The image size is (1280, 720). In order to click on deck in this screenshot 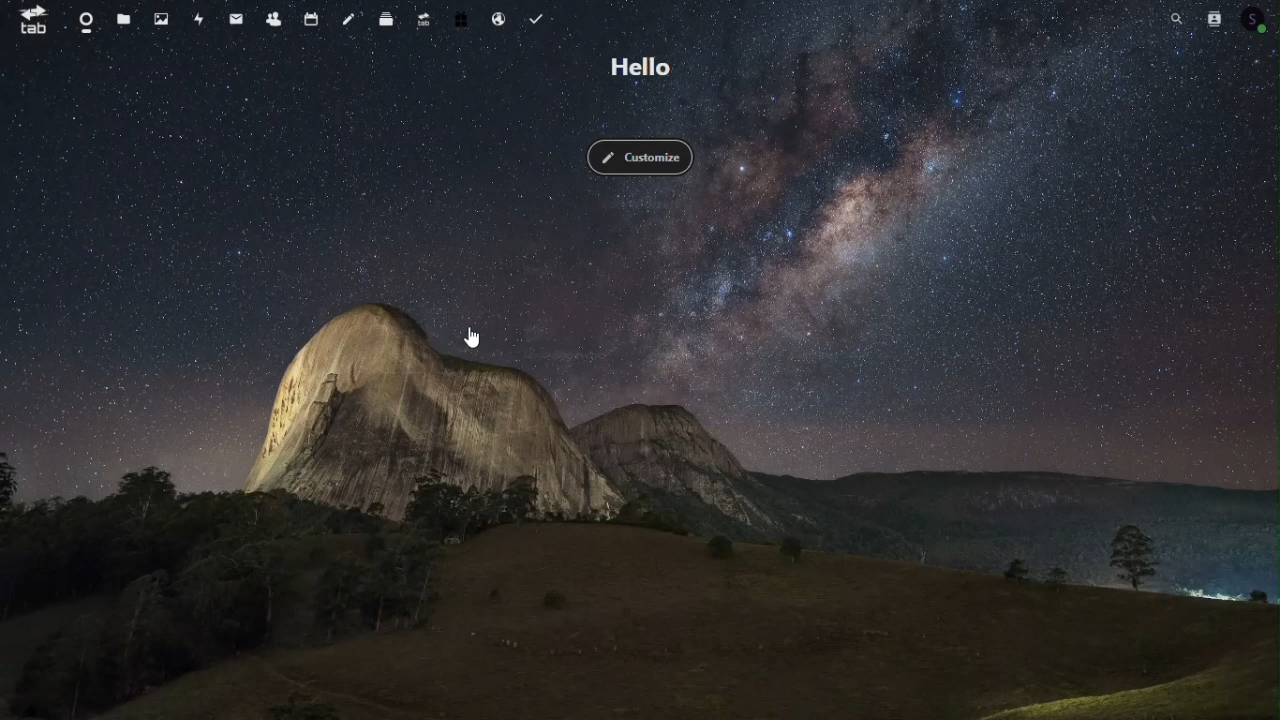, I will do `click(382, 19)`.